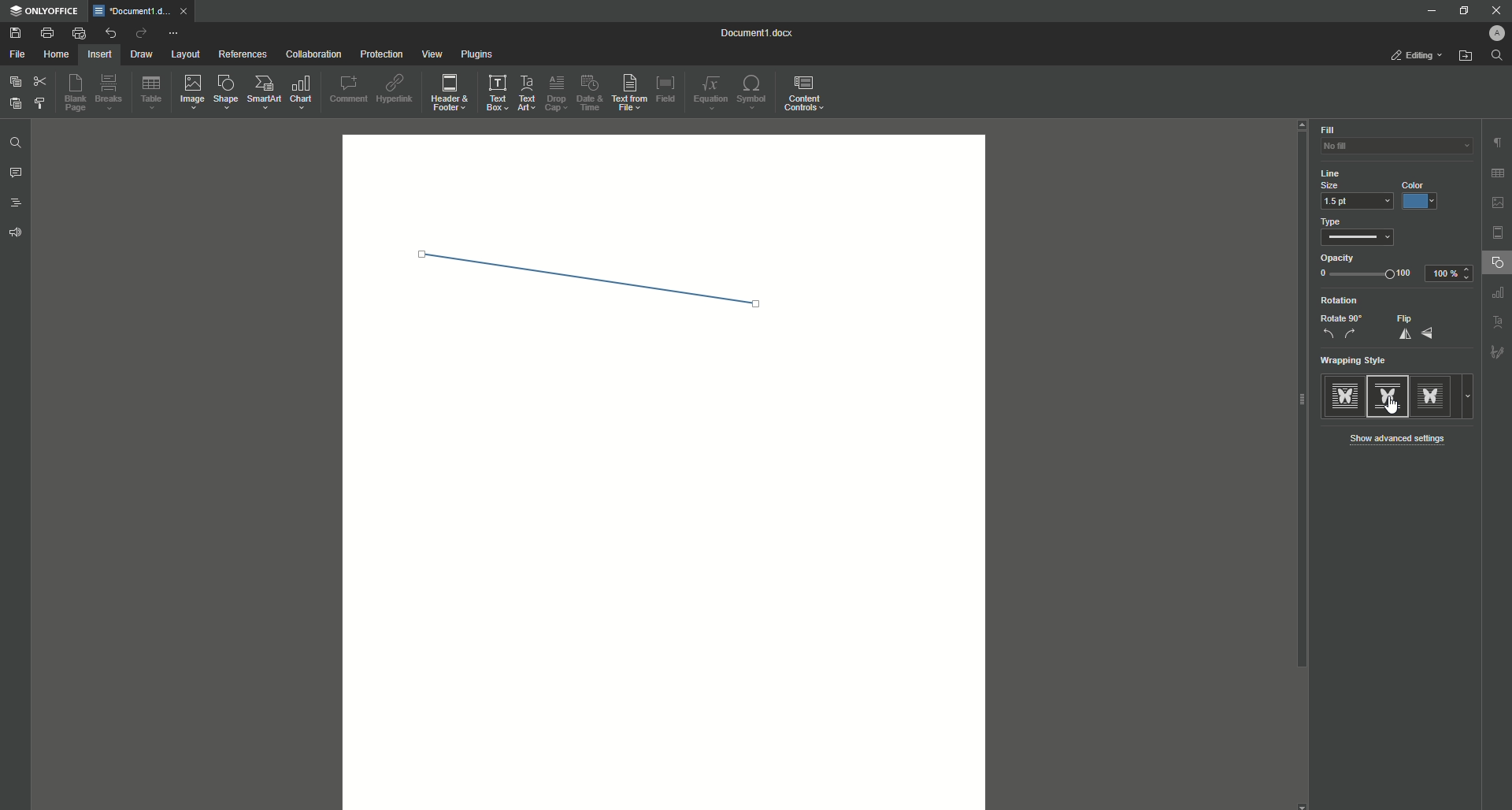 The height and width of the screenshot is (810, 1512). I want to click on Line, so click(576, 272).